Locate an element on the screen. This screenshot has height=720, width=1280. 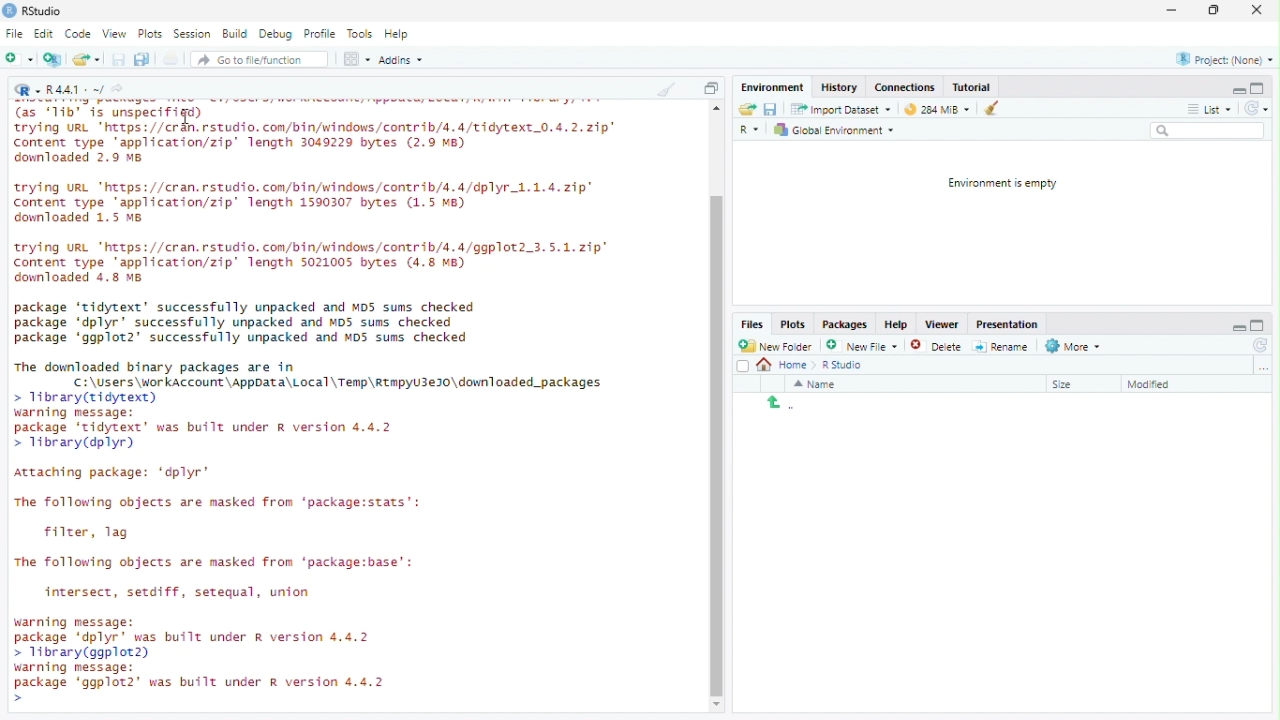
RStudio is located at coordinates (33, 11).